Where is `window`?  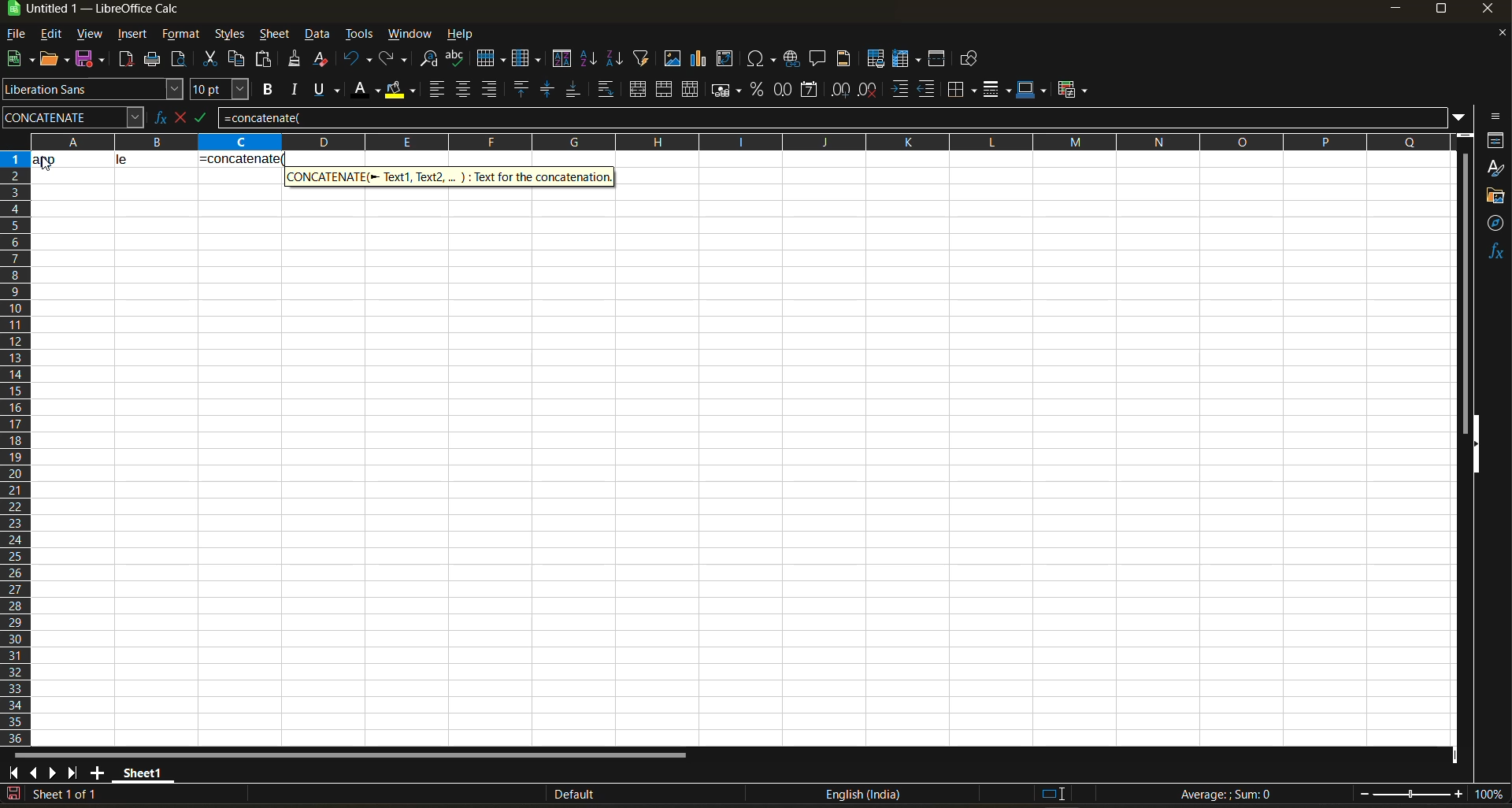 window is located at coordinates (411, 34).